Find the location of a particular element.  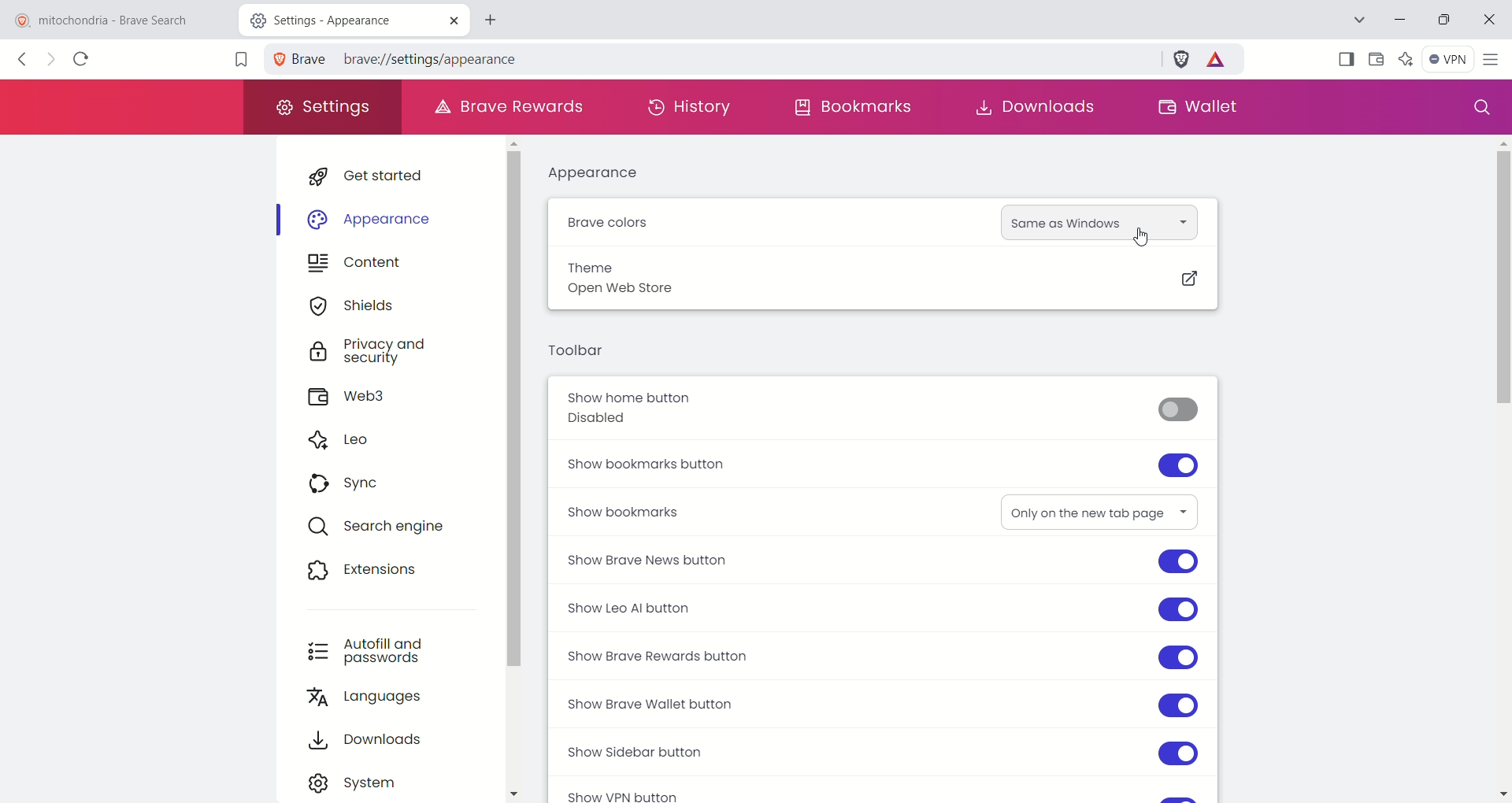

brave rewards is located at coordinates (511, 106).